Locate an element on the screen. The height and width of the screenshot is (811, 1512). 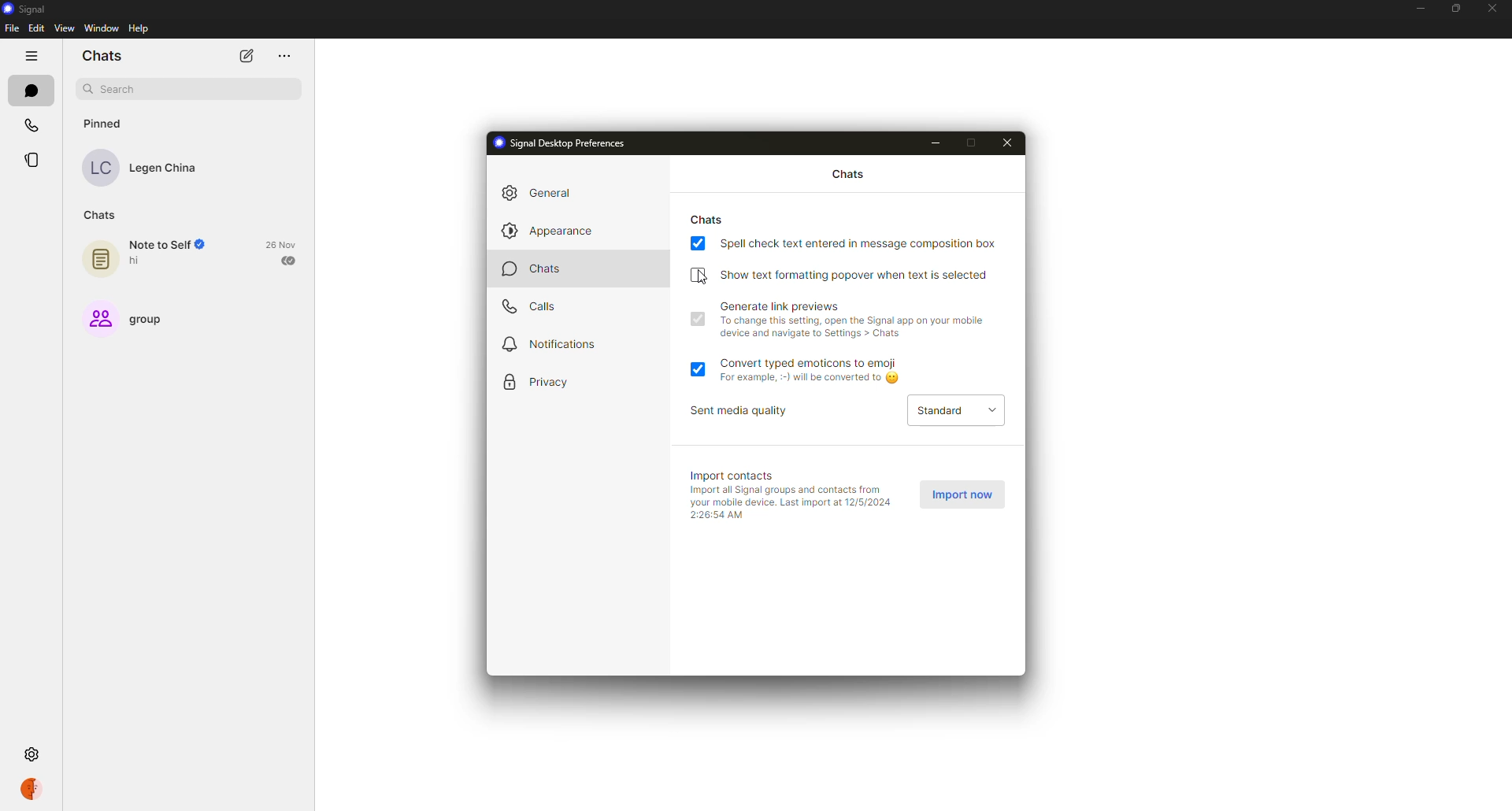
minimize is located at coordinates (1417, 9).